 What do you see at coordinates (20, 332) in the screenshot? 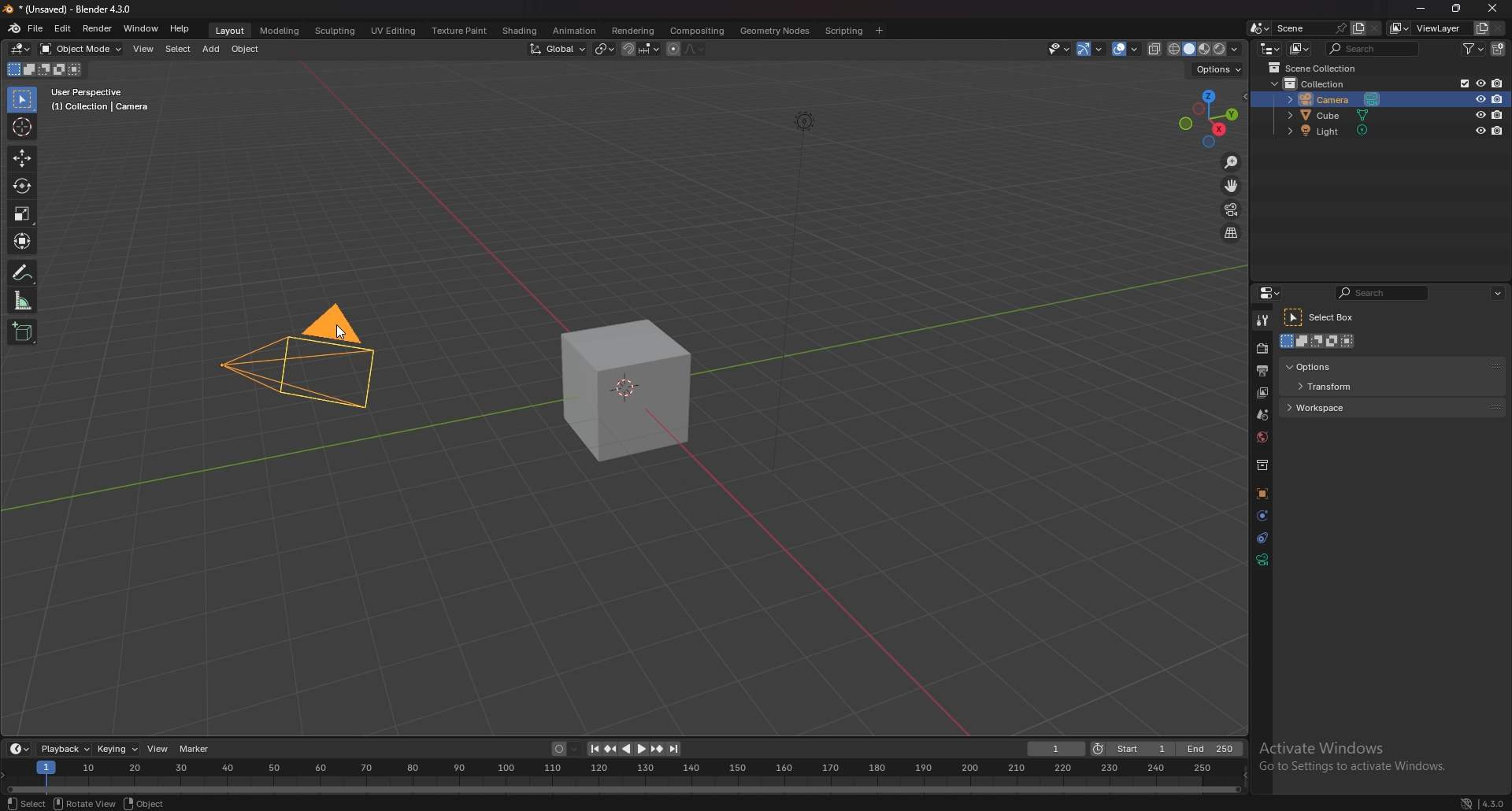
I see `add cube` at bounding box center [20, 332].